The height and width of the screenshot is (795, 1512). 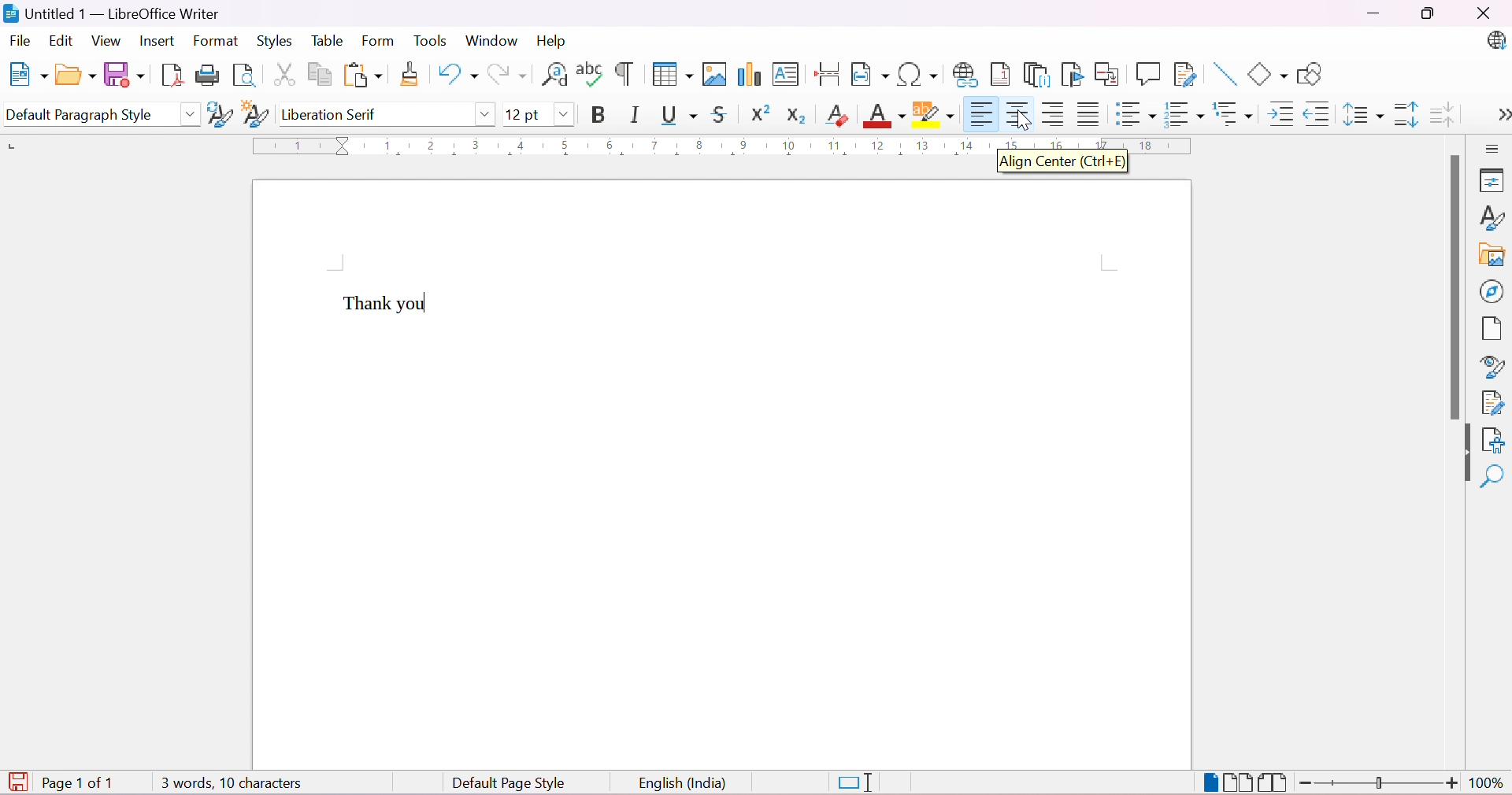 I want to click on Increase Paragraph Spacing, so click(x=1403, y=113).